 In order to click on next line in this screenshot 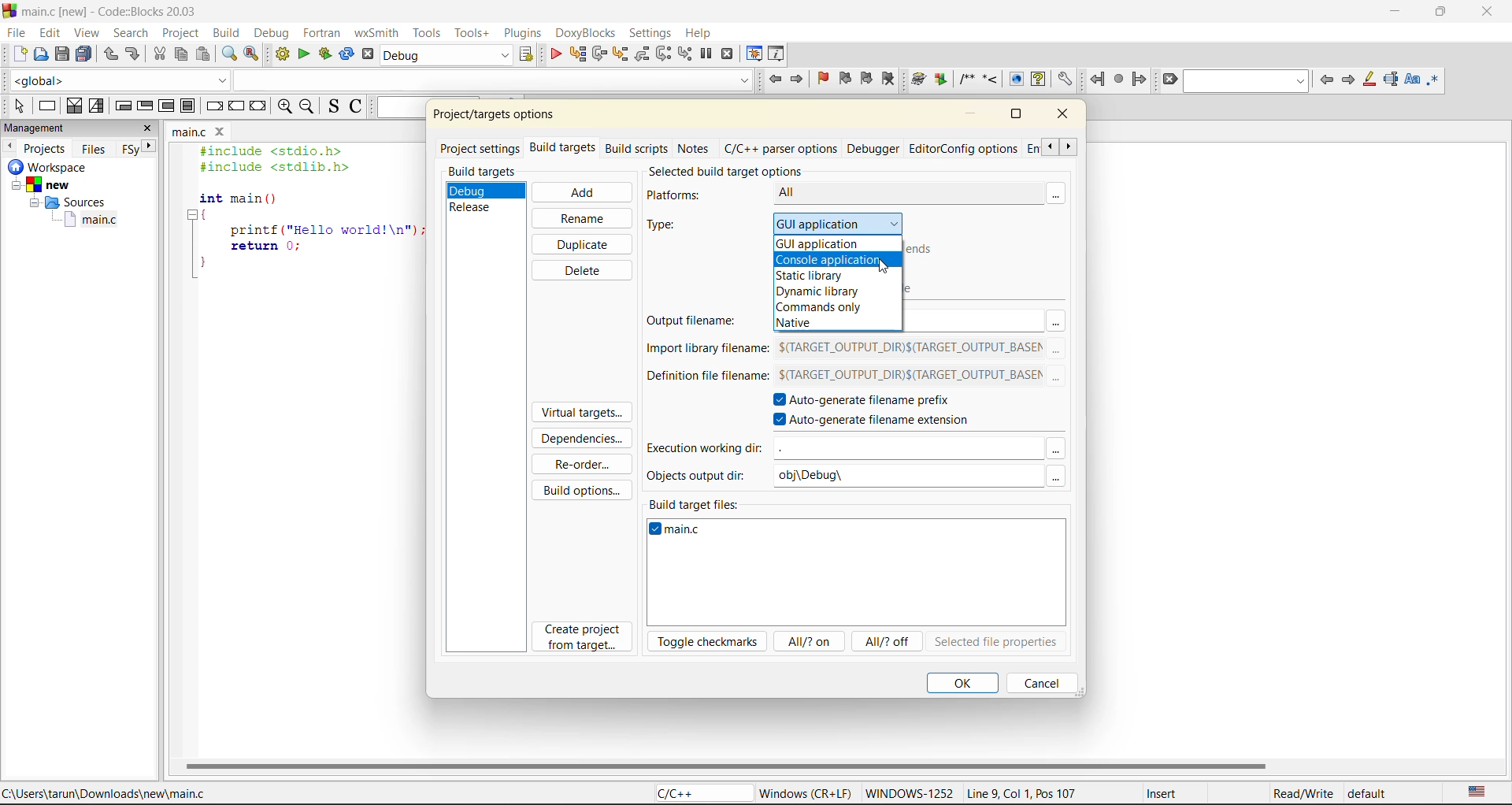, I will do `click(601, 56)`.